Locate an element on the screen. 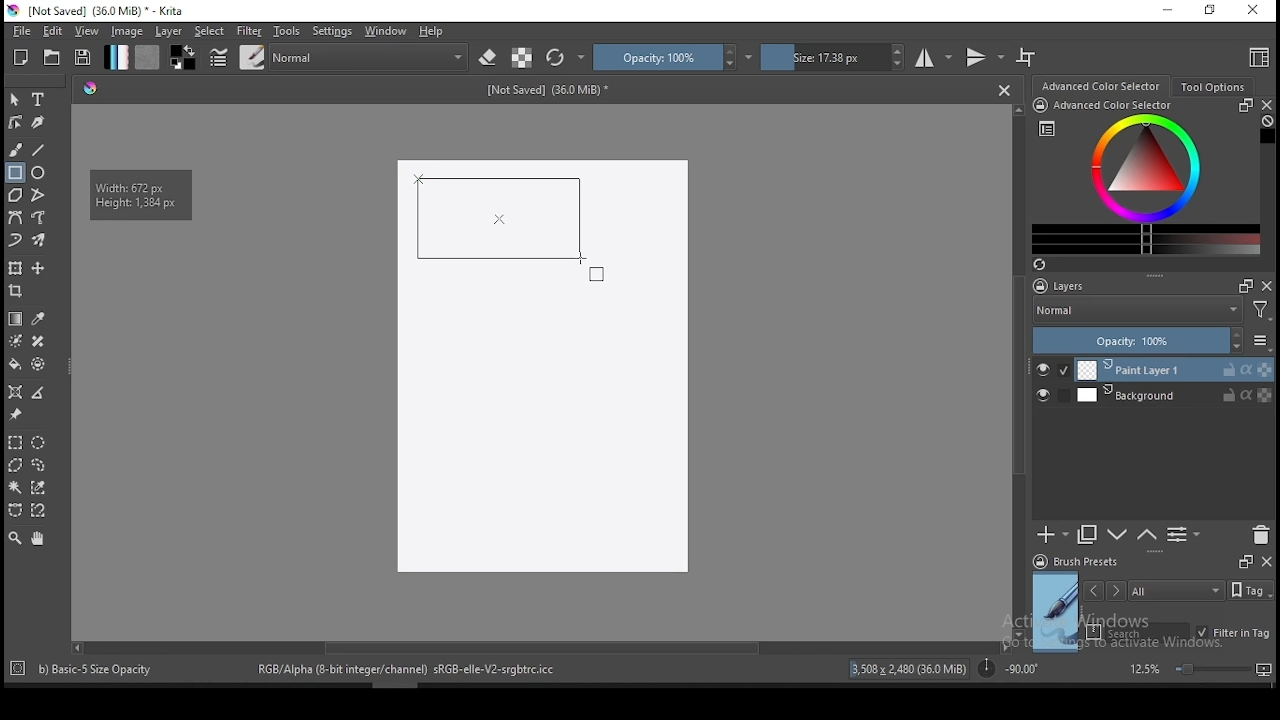 The height and width of the screenshot is (720, 1280). rotation is located at coordinates (1008, 667).